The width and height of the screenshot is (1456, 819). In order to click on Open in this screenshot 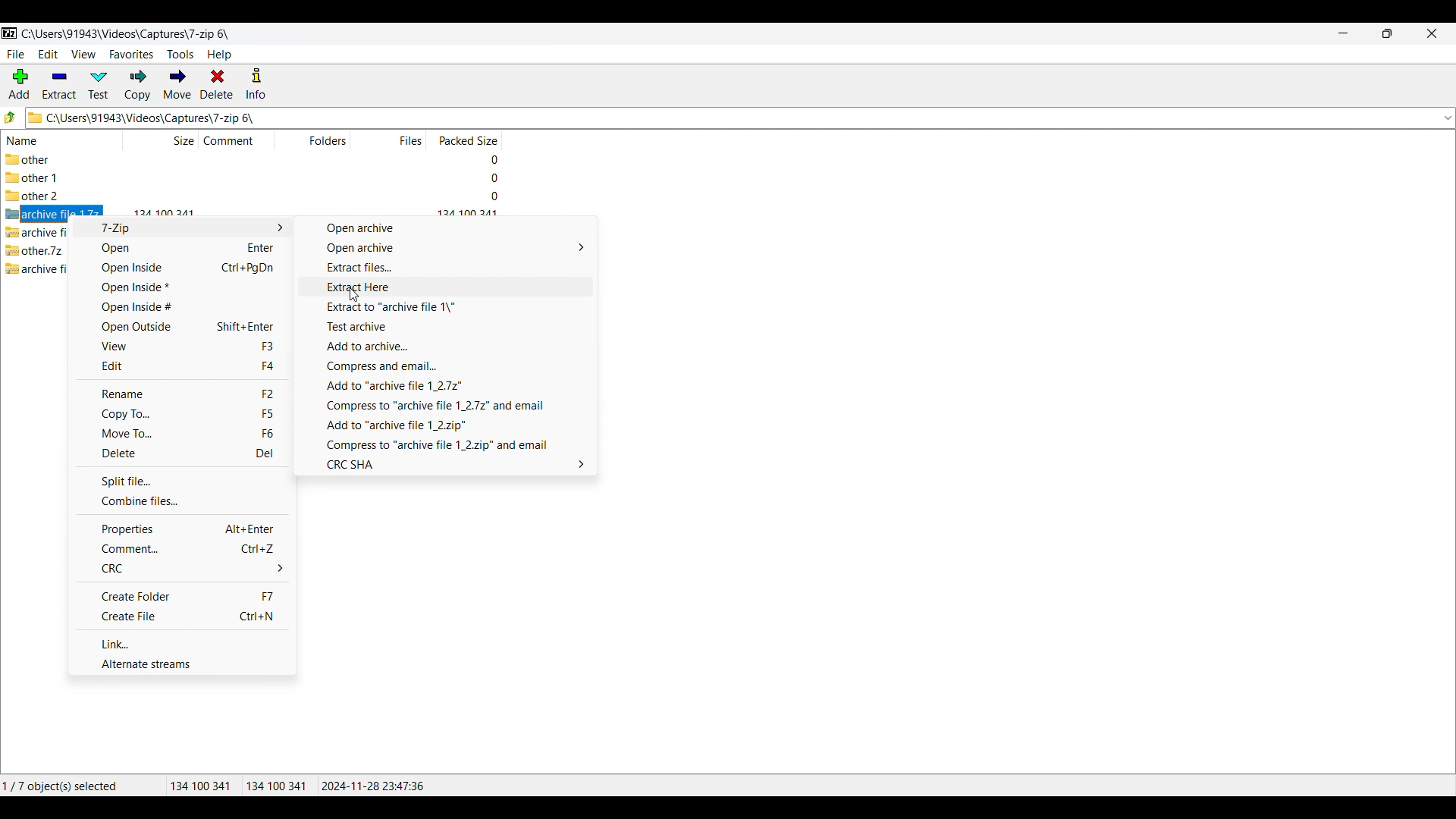, I will do `click(180, 249)`.